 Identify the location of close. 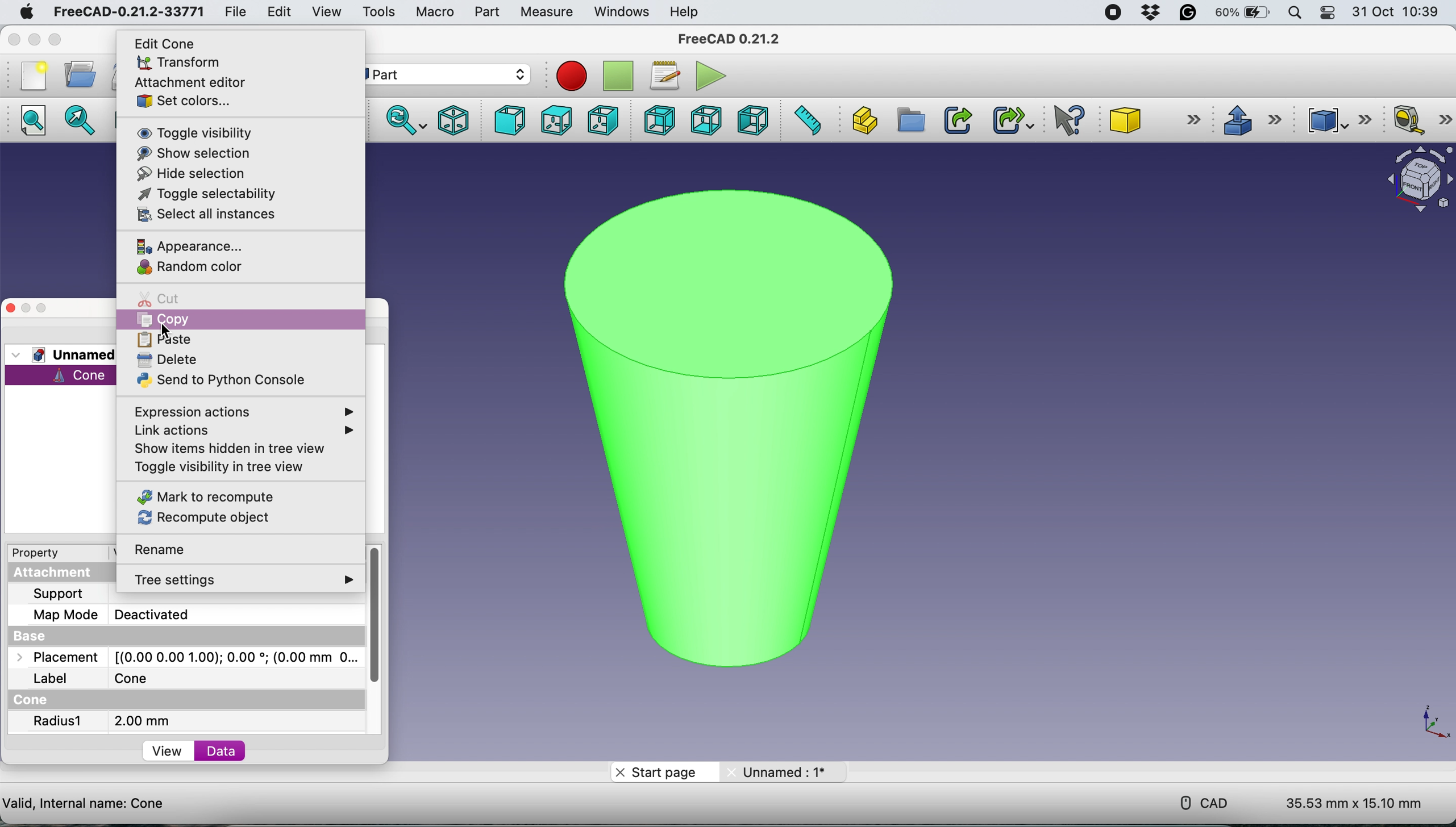
(16, 40).